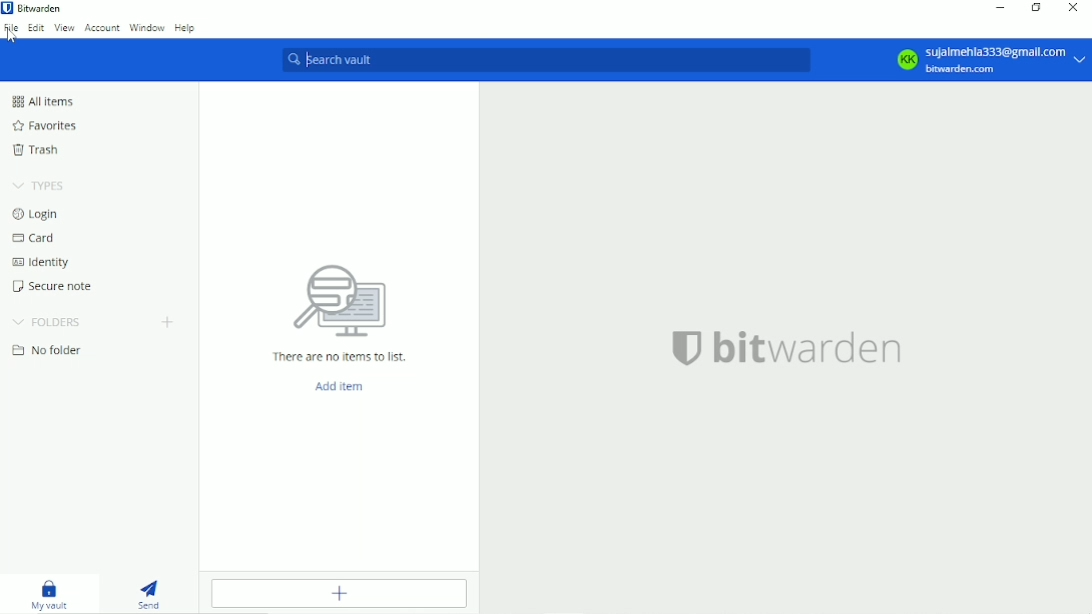  What do you see at coordinates (342, 302) in the screenshot?
I see `computer icon` at bounding box center [342, 302].